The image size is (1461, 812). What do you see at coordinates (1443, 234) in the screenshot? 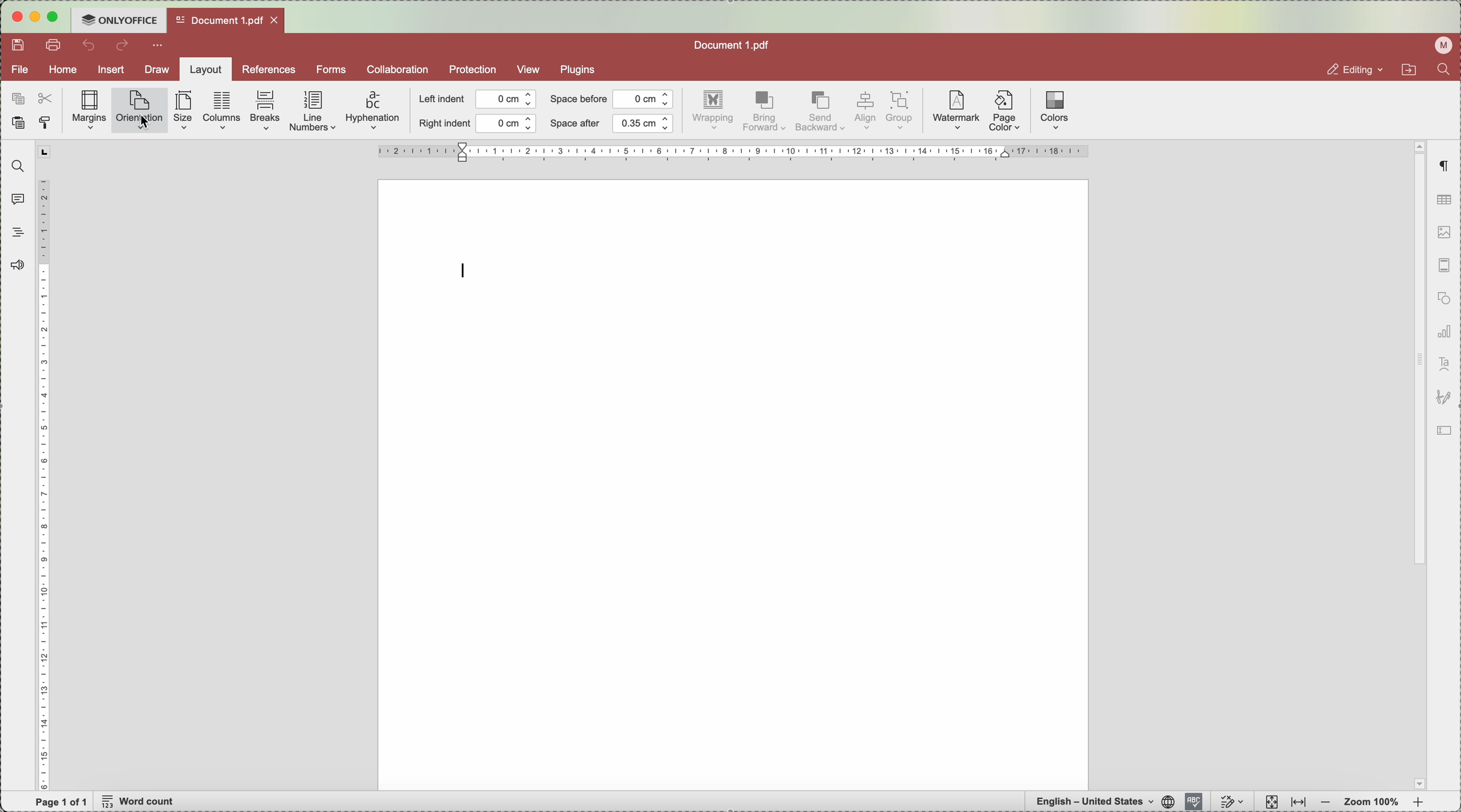
I see `image settings` at bounding box center [1443, 234].